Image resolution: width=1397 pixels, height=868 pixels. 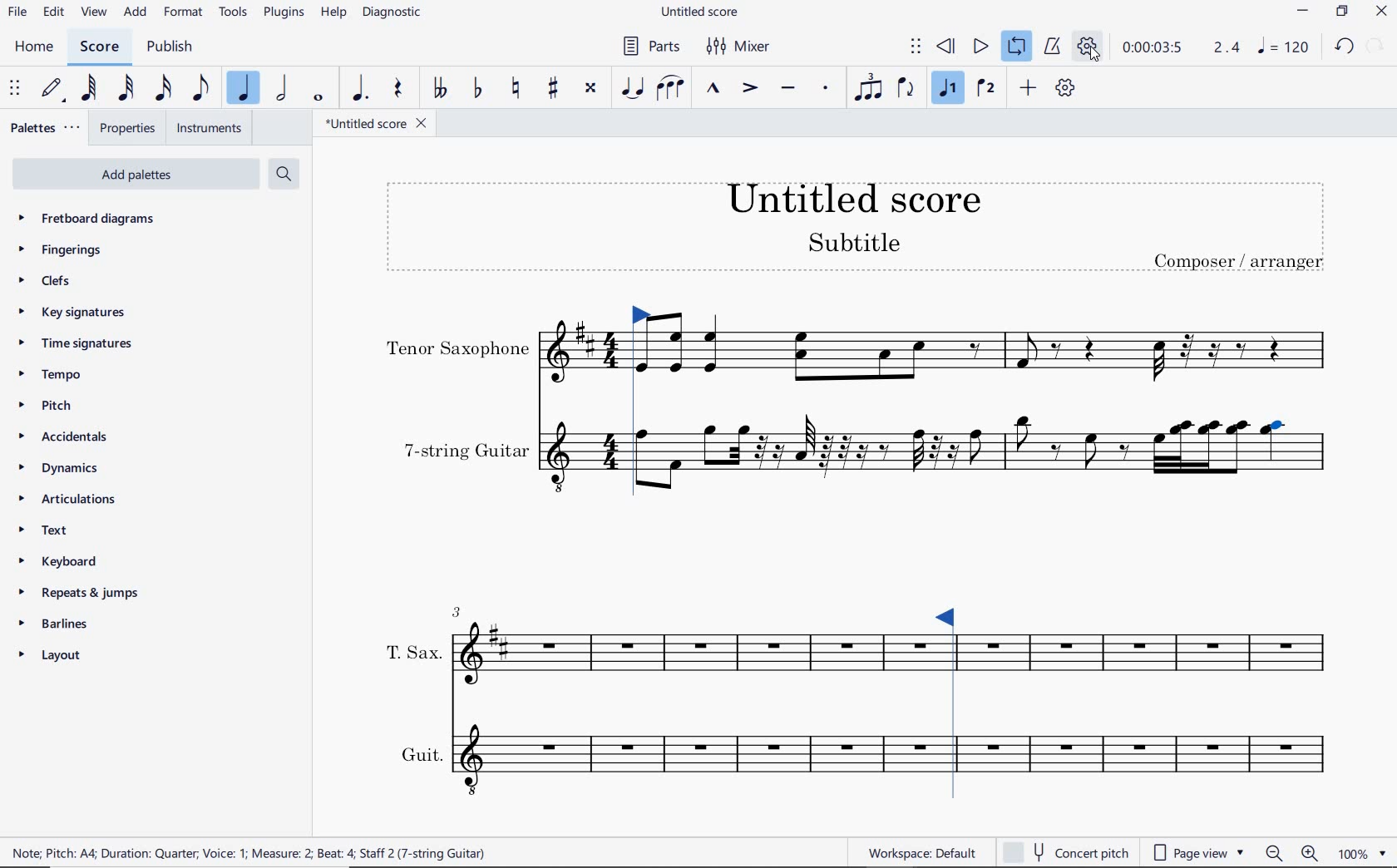 What do you see at coordinates (88, 218) in the screenshot?
I see `FRETBOARD DIAGRAMS` at bounding box center [88, 218].